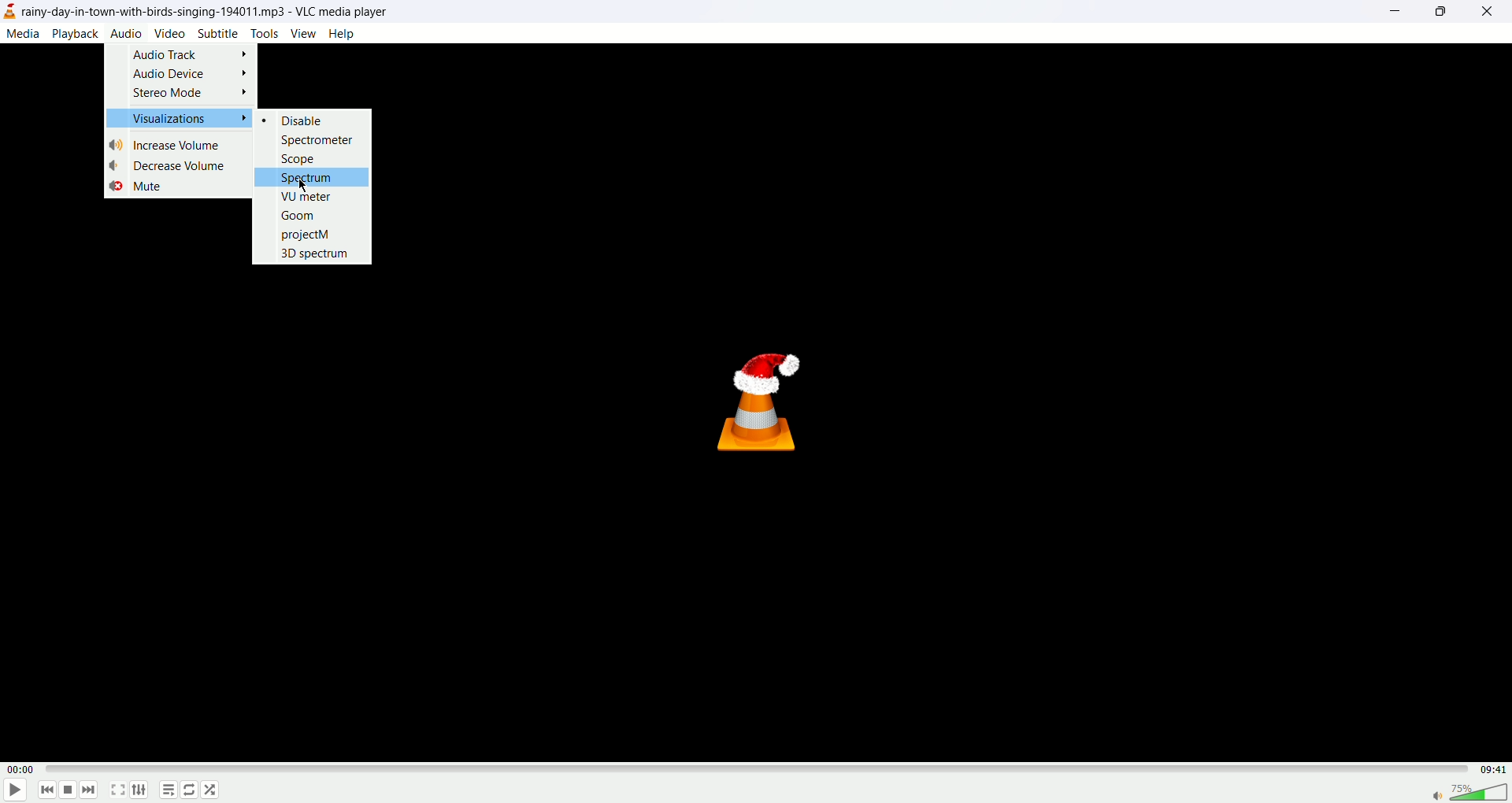 This screenshot has width=1512, height=803. Describe the element at coordinates (127, 33) in the screenshot. I see `audio` at that location.